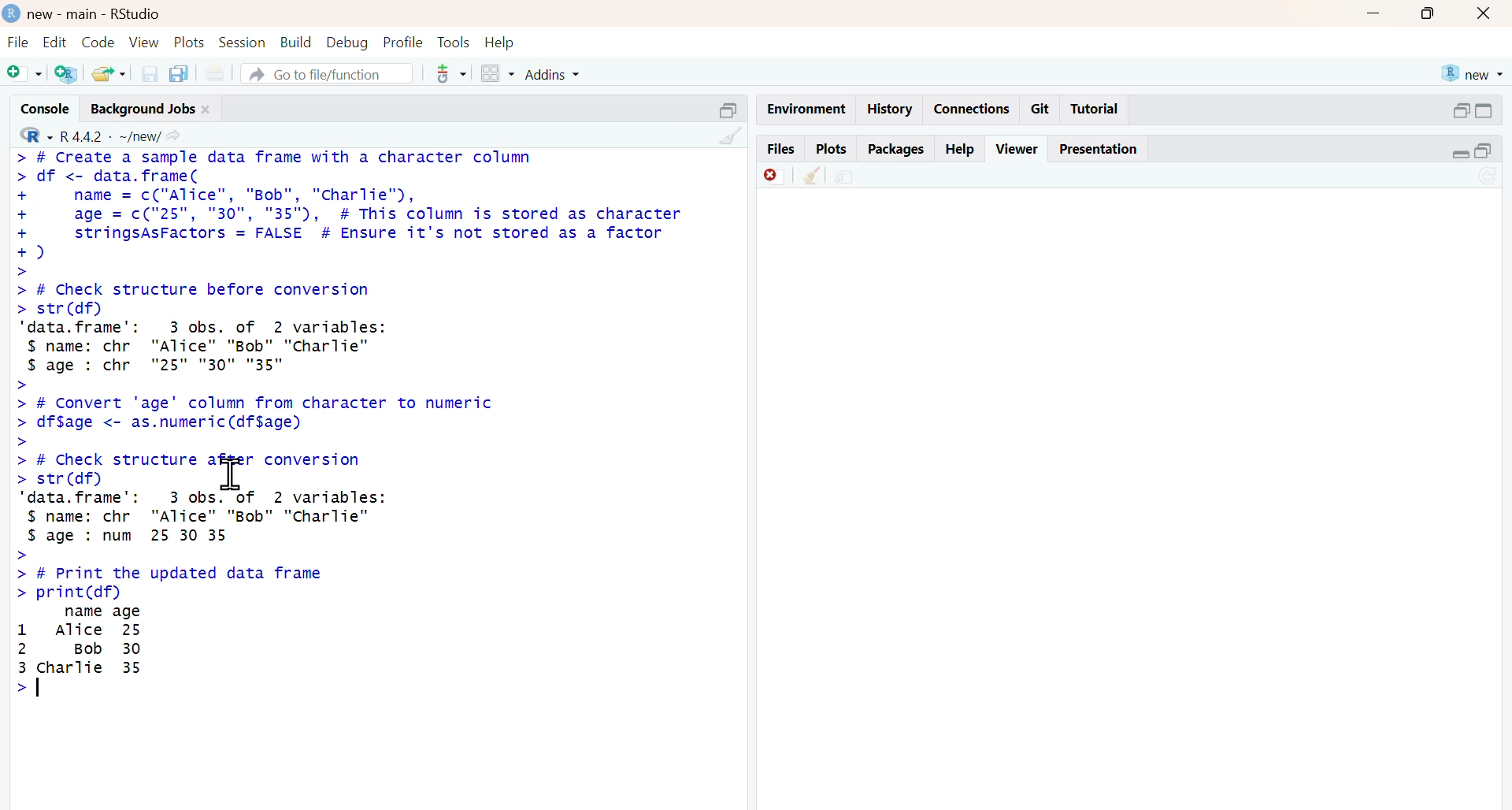 Image resolution: width=1512 pixels, height=810 pixels. Describe the element at coordinates (326, 74) in the screenshot. I see `go to file/function` at that location.